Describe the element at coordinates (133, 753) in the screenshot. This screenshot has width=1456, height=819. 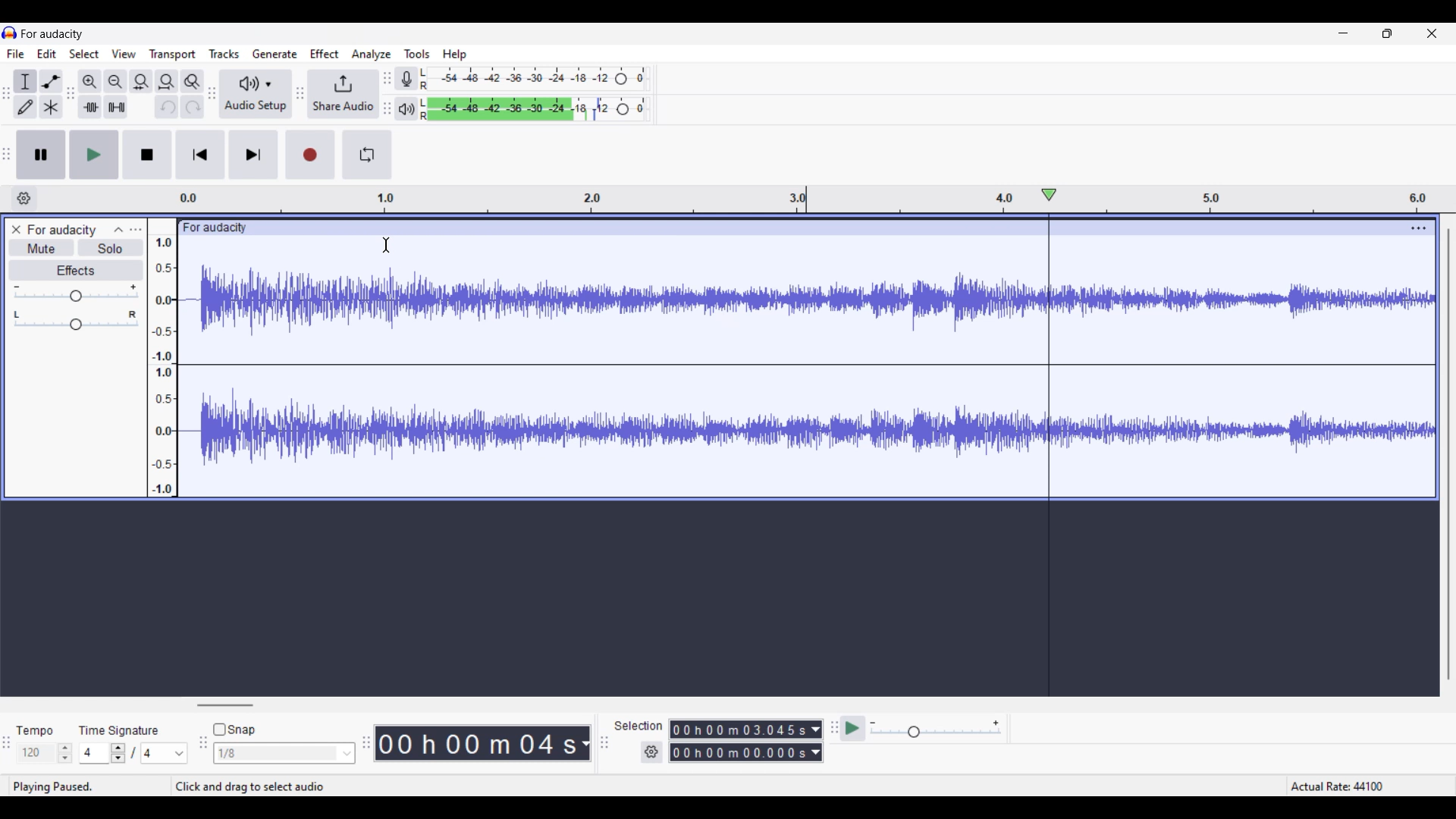
I see `Time signature settings` at that location.